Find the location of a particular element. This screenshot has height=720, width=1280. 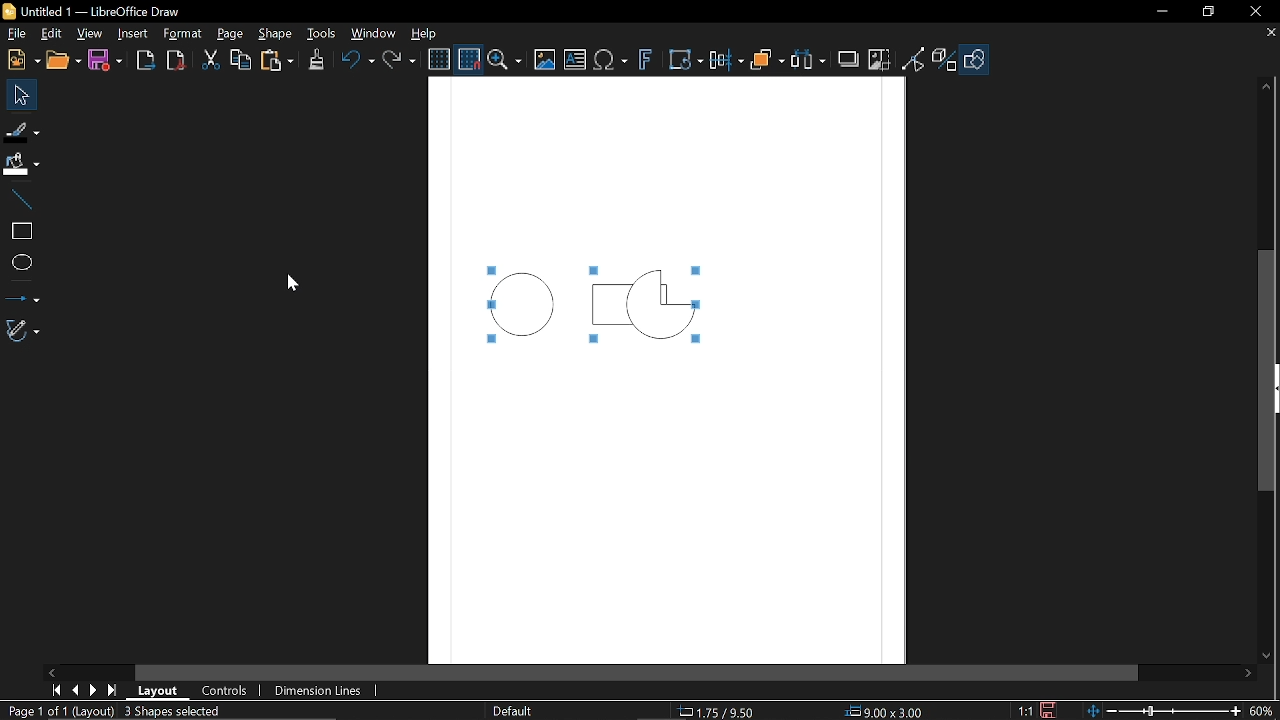

Save is located at coordinates (106, 60).